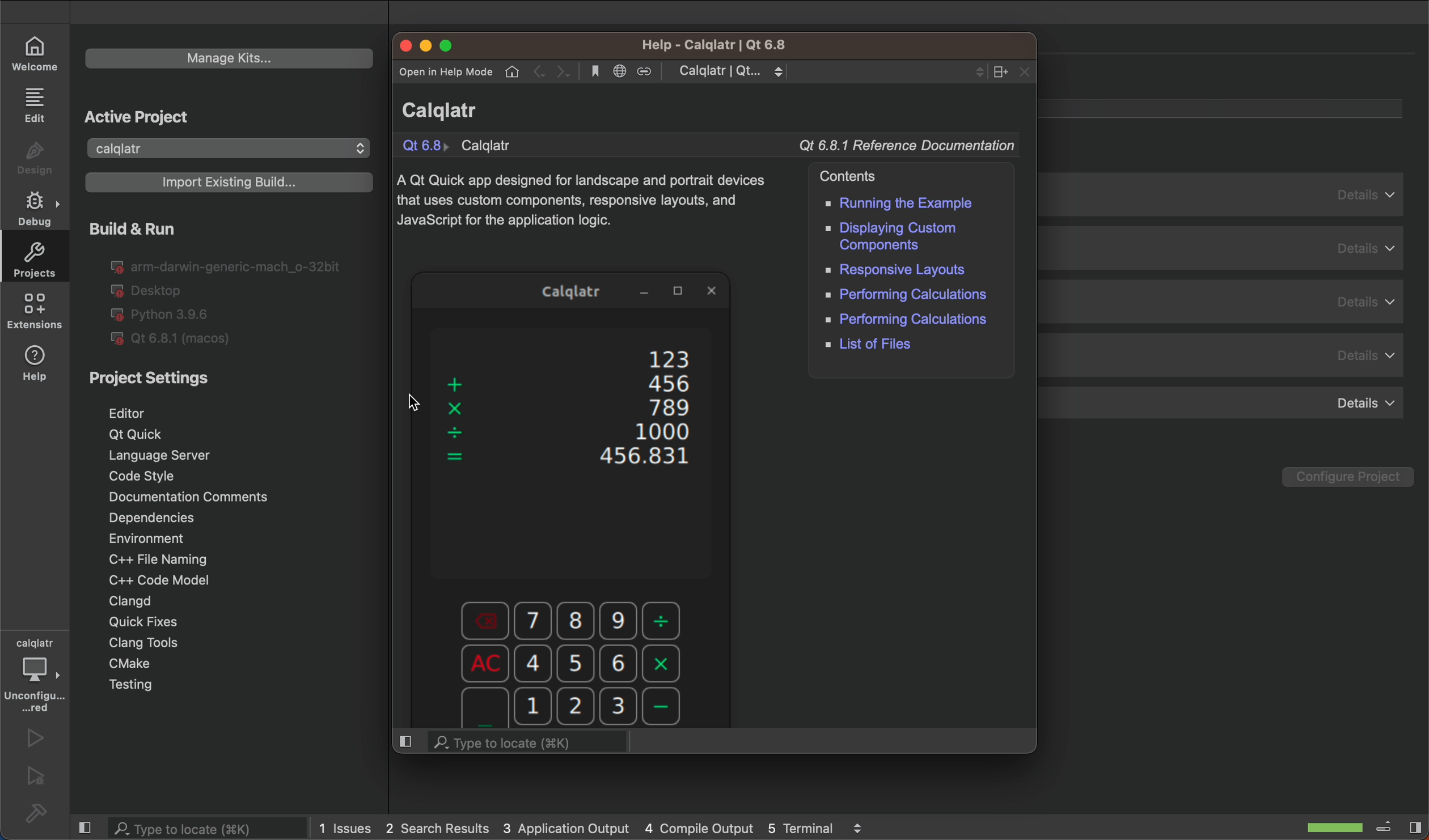  I want to click on application name, so click(715, 49).